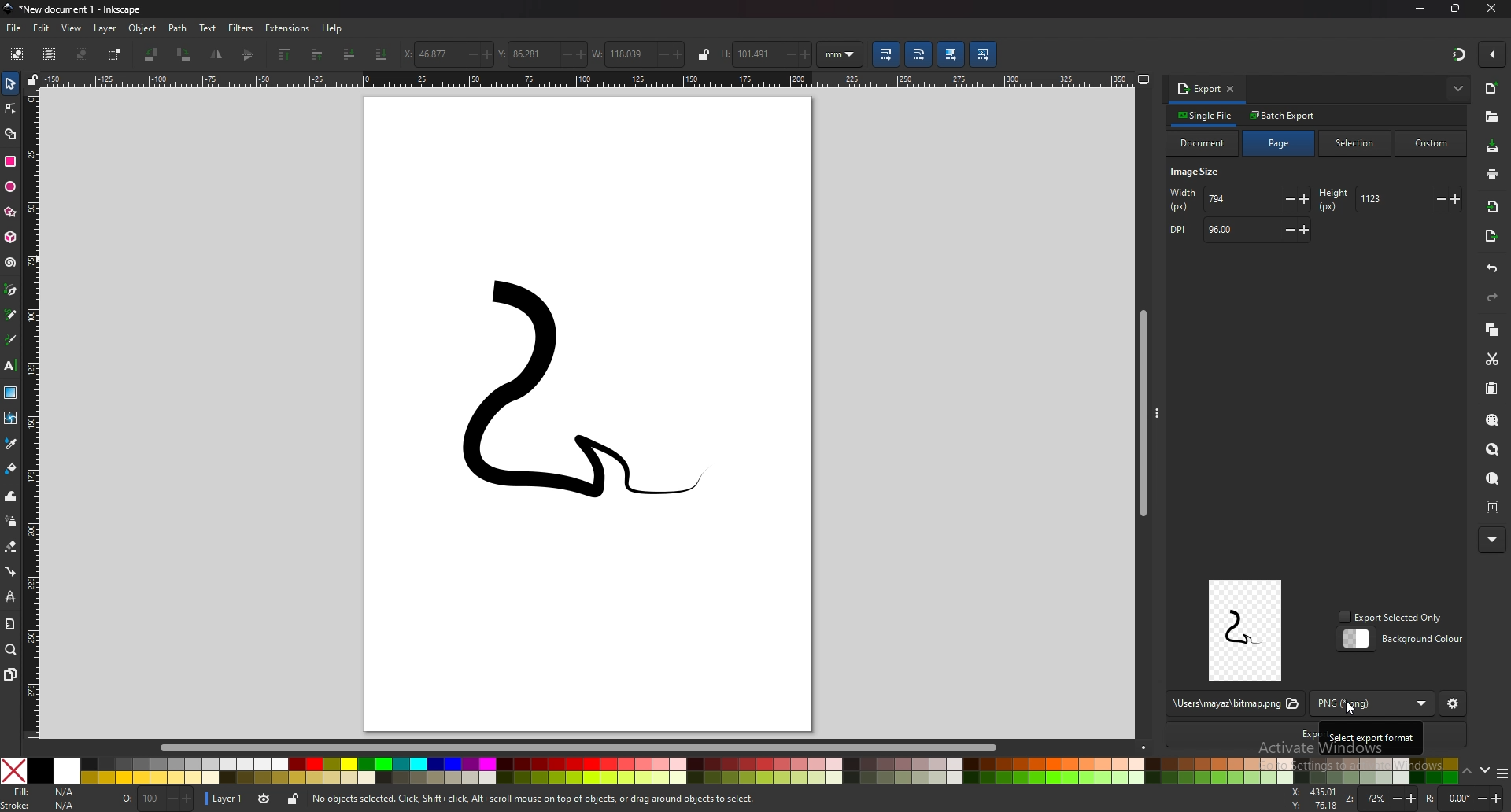 This screenshot has width=1511, height=812. What do you see at coordinates (542, 54) in the screenshot?
I see `y coordinates` at bounding box center [542, 54].